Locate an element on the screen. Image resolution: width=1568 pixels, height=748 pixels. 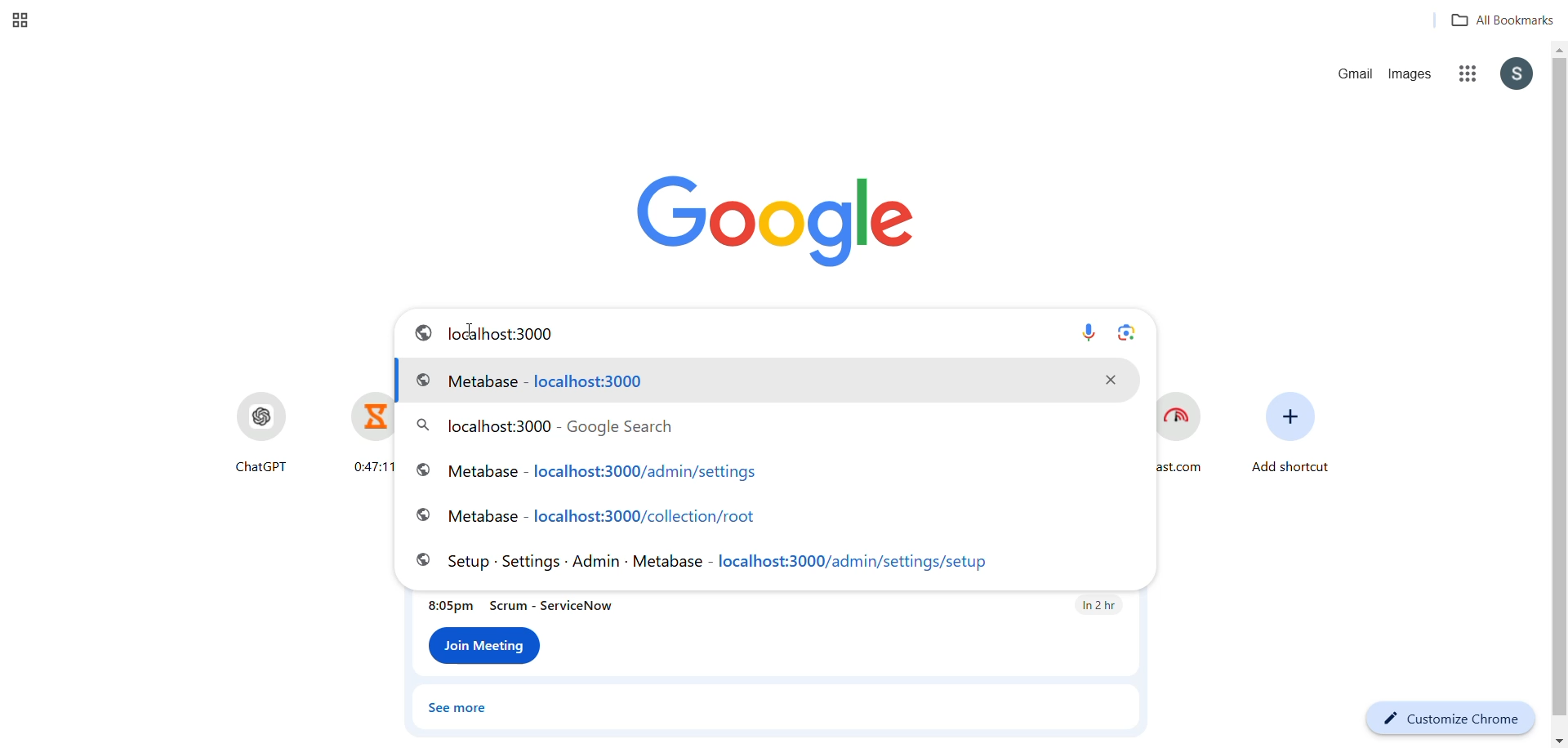
Mic is located at coordinates (1091, 333).